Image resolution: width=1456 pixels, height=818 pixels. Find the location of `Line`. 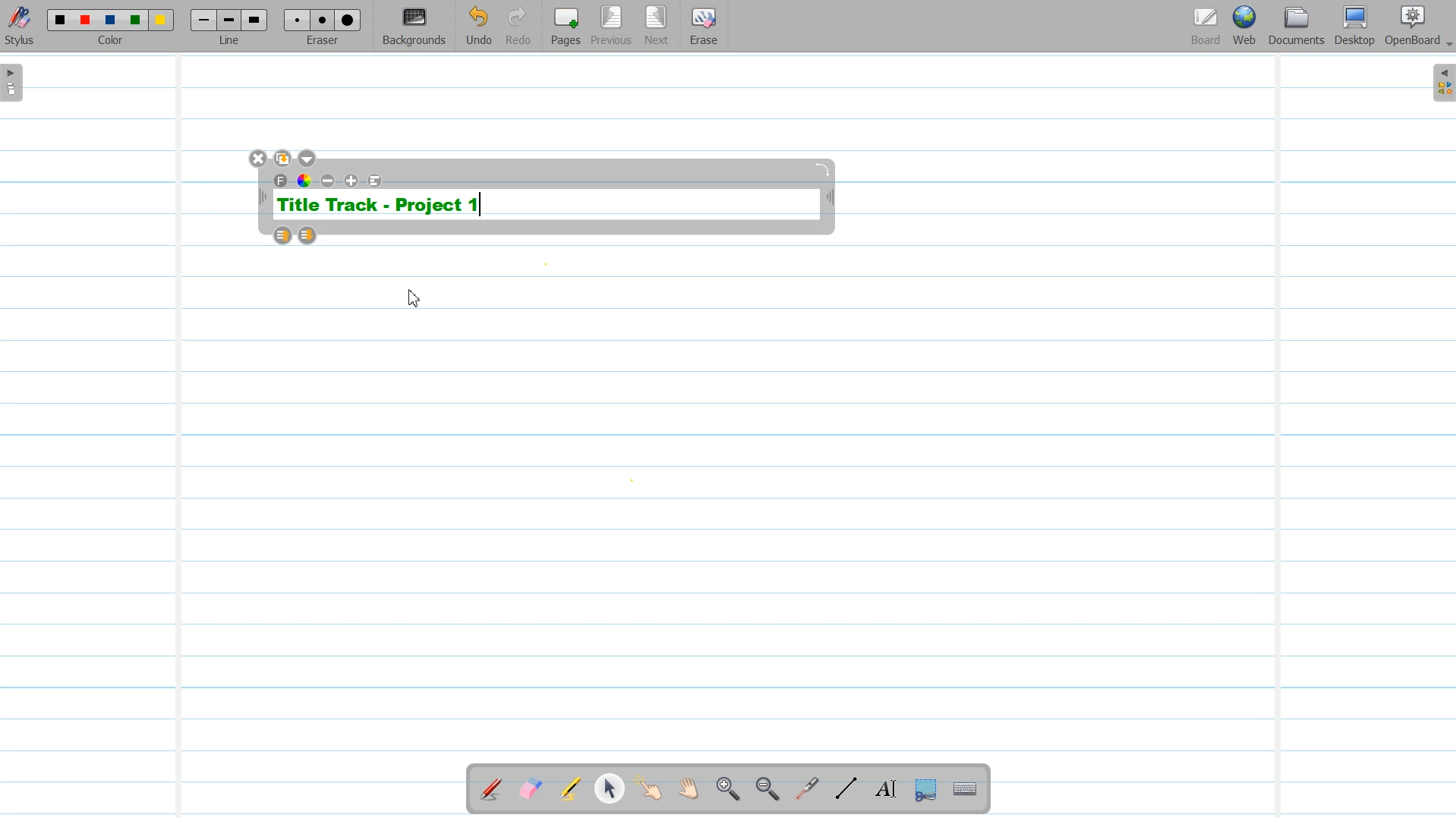

Line is located at coordinates (231, 26).